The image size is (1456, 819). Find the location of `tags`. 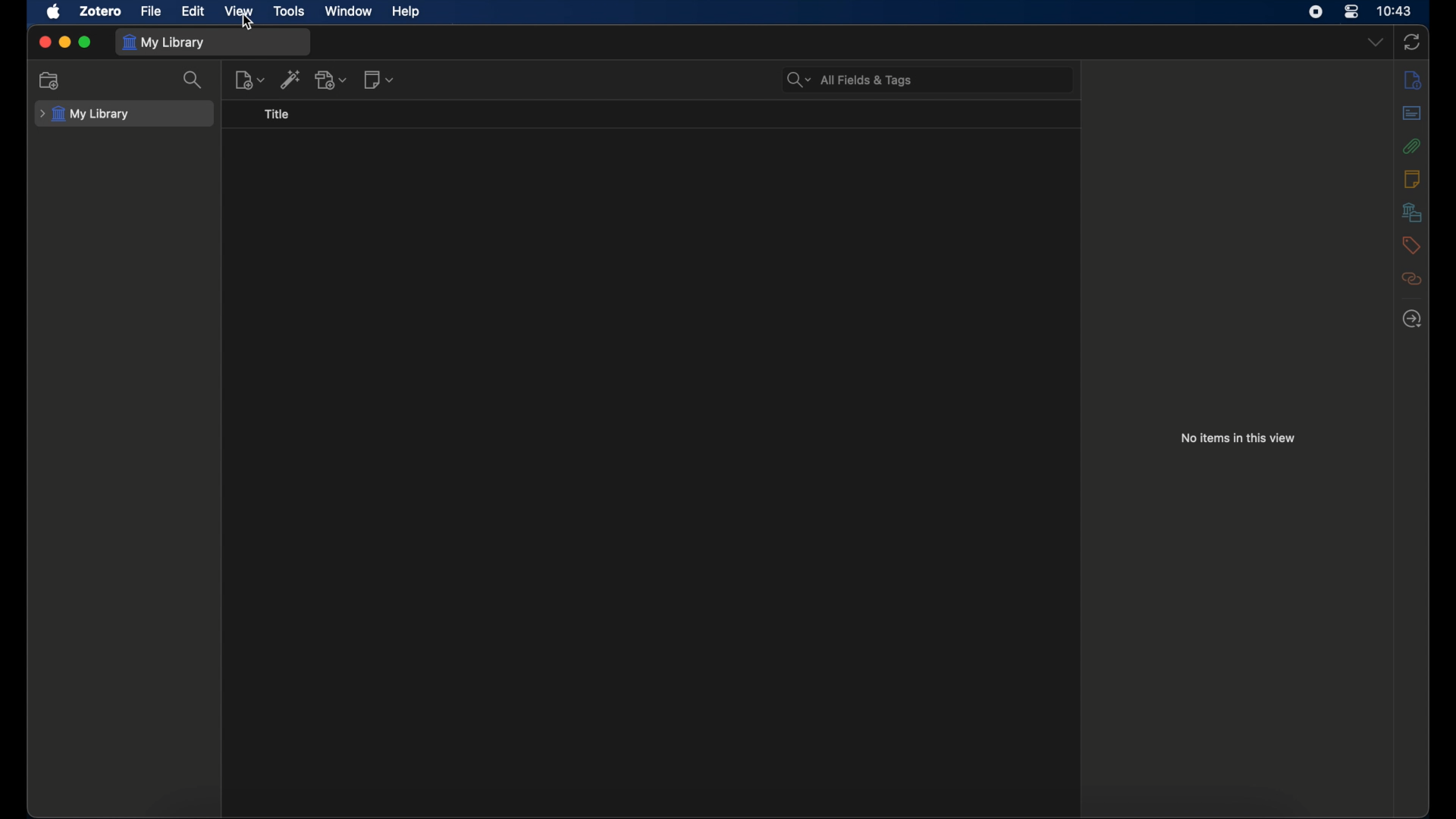

tags is located at coordinates (1411, 244).